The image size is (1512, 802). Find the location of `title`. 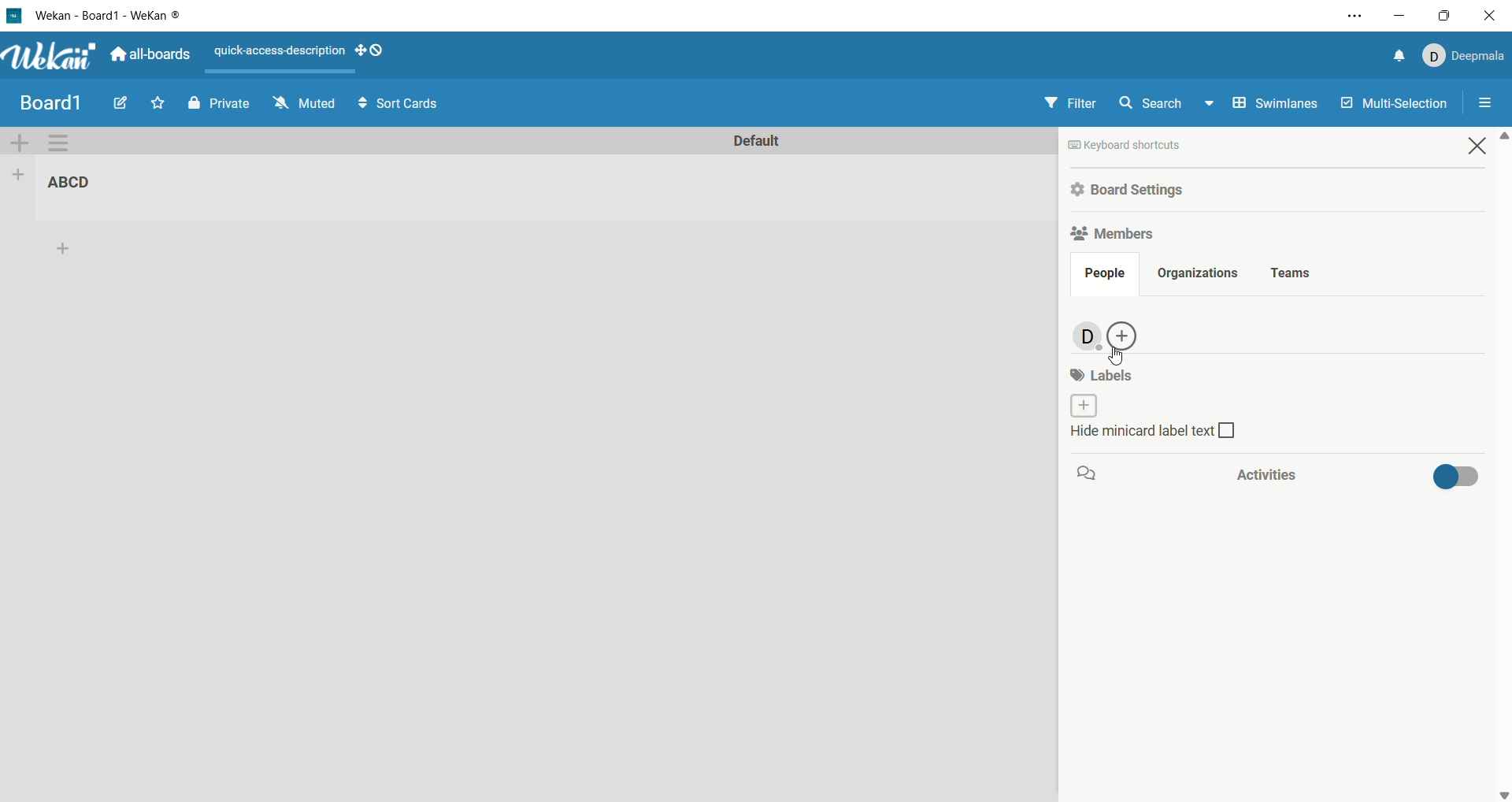

title is located at coordinates (111, 15).